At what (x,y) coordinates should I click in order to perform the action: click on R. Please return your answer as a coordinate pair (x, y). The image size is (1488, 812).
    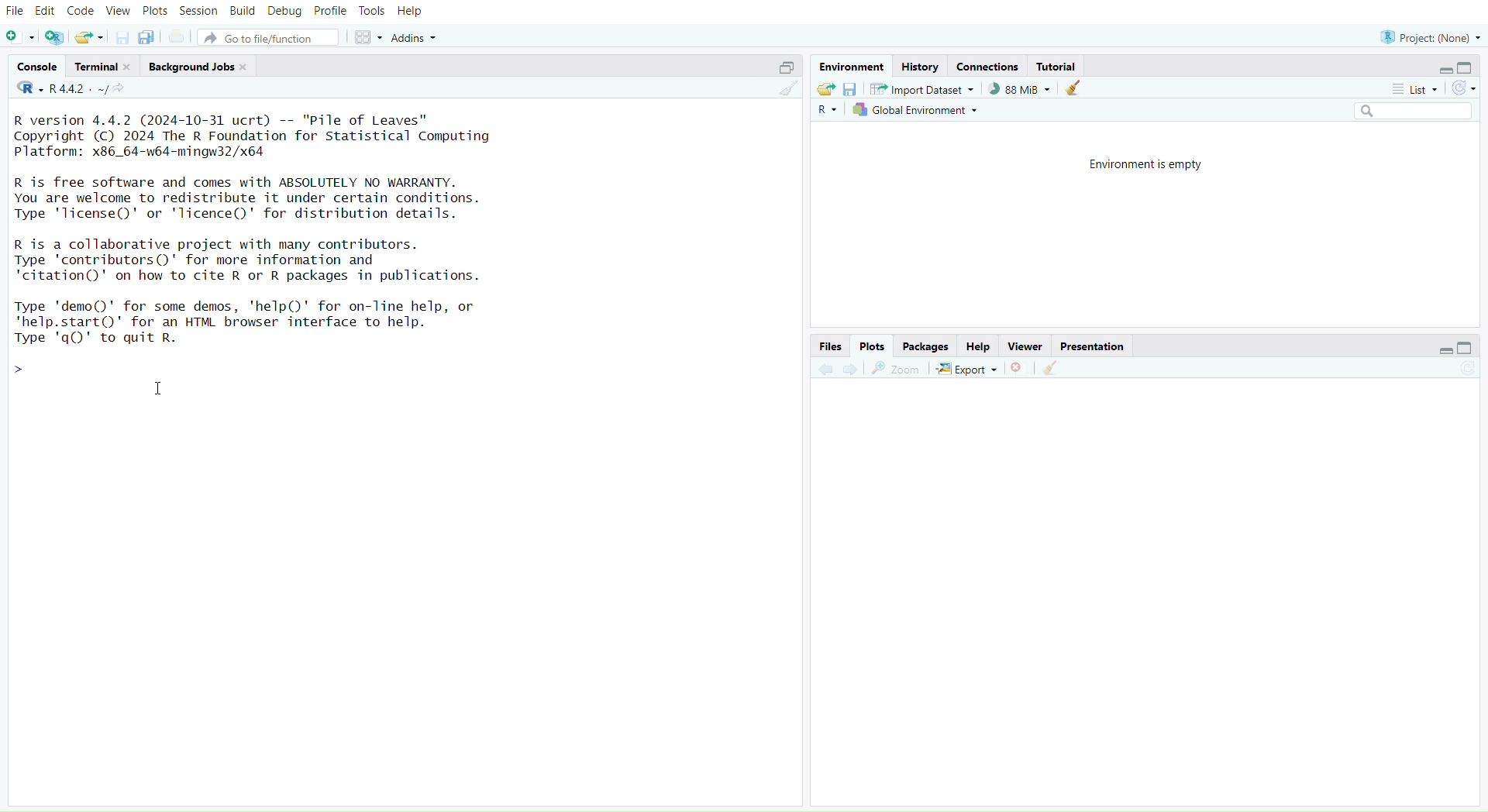
    Looking at the image, I should click on (827, 111).